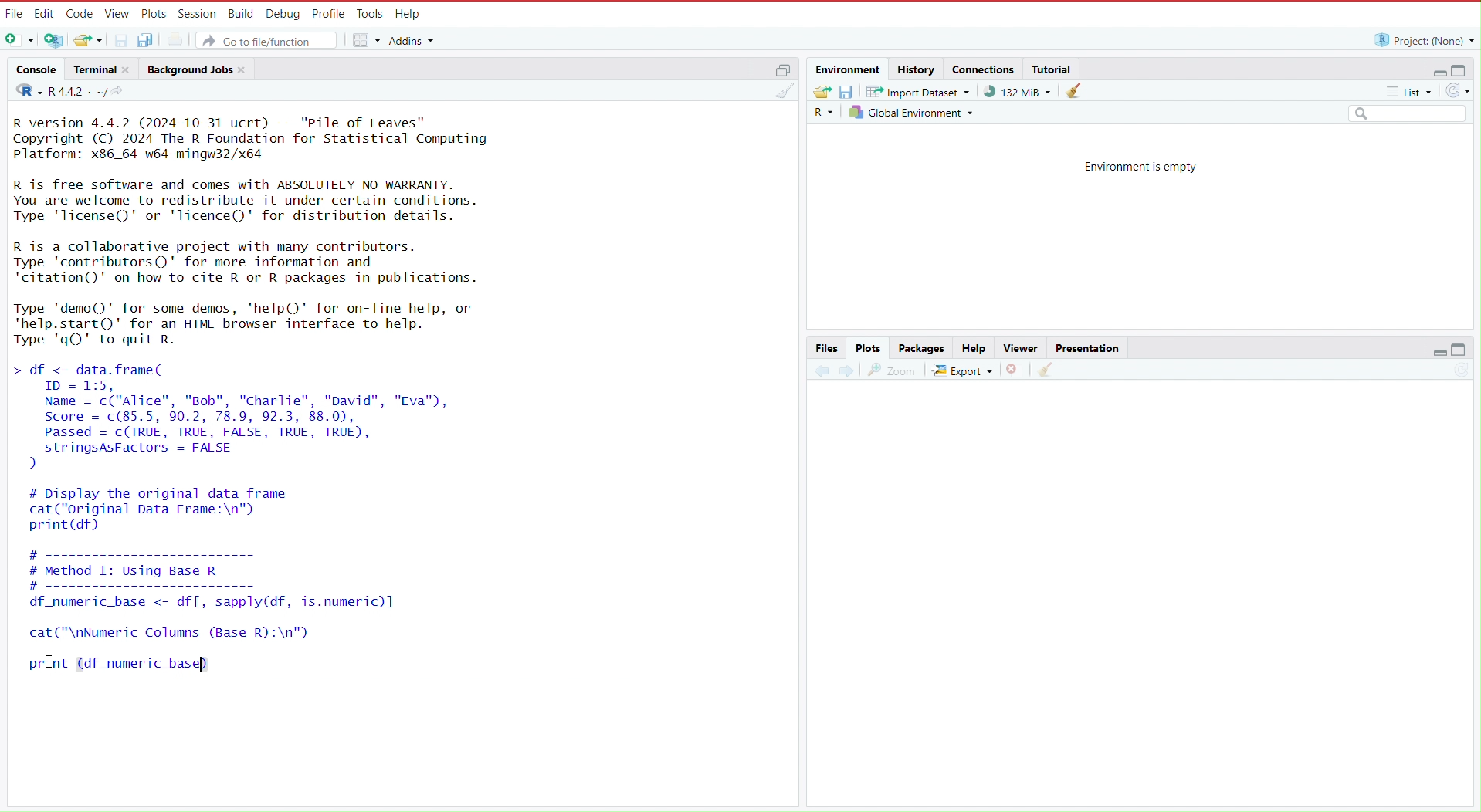 This screenshot has height=812, width=1481. Describe the element at coordinates (815, 371) in the screenshot. I see `previous plot` at that location.